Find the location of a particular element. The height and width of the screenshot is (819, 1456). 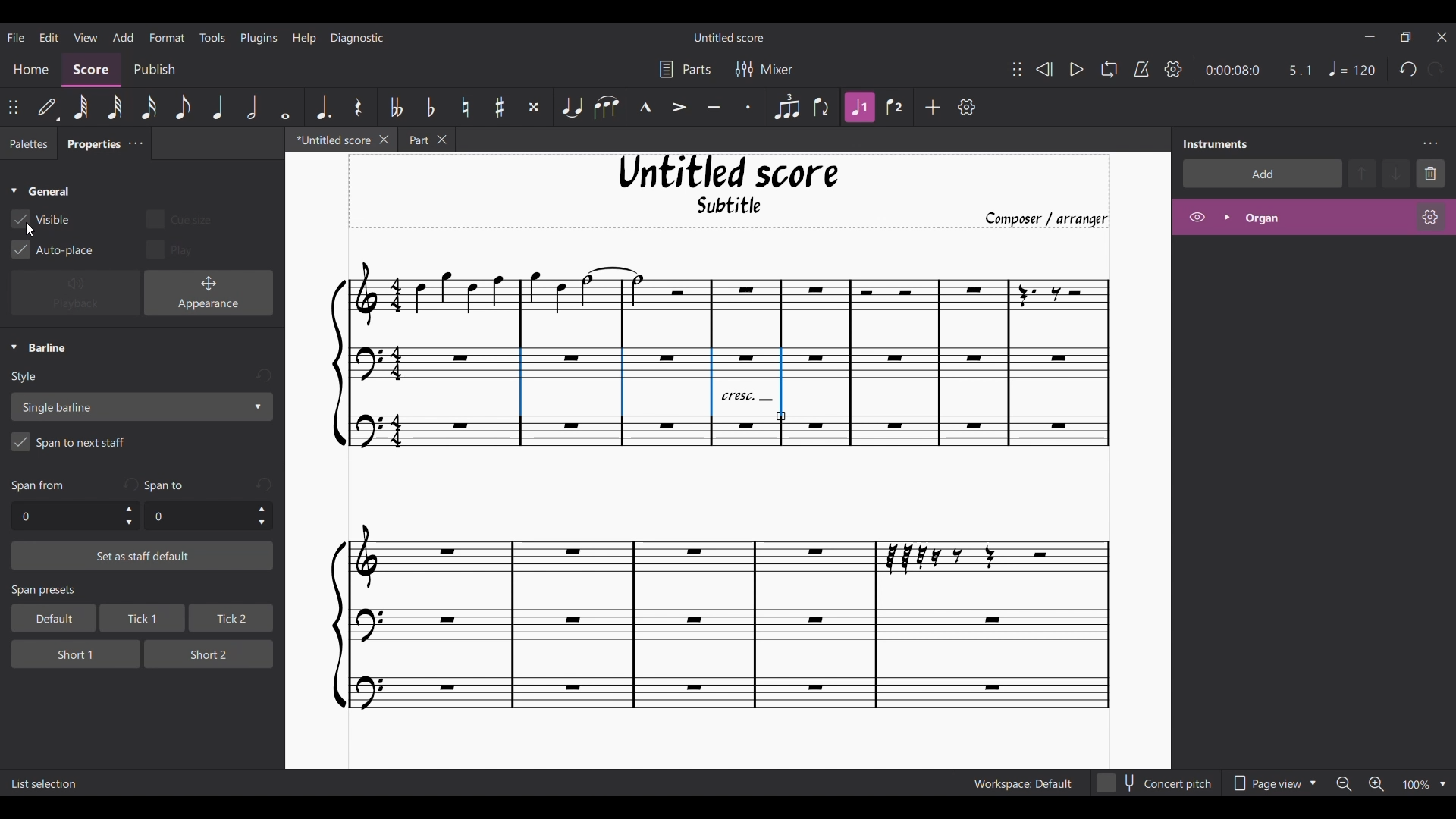

16th note is located at coordinates (150, 107).